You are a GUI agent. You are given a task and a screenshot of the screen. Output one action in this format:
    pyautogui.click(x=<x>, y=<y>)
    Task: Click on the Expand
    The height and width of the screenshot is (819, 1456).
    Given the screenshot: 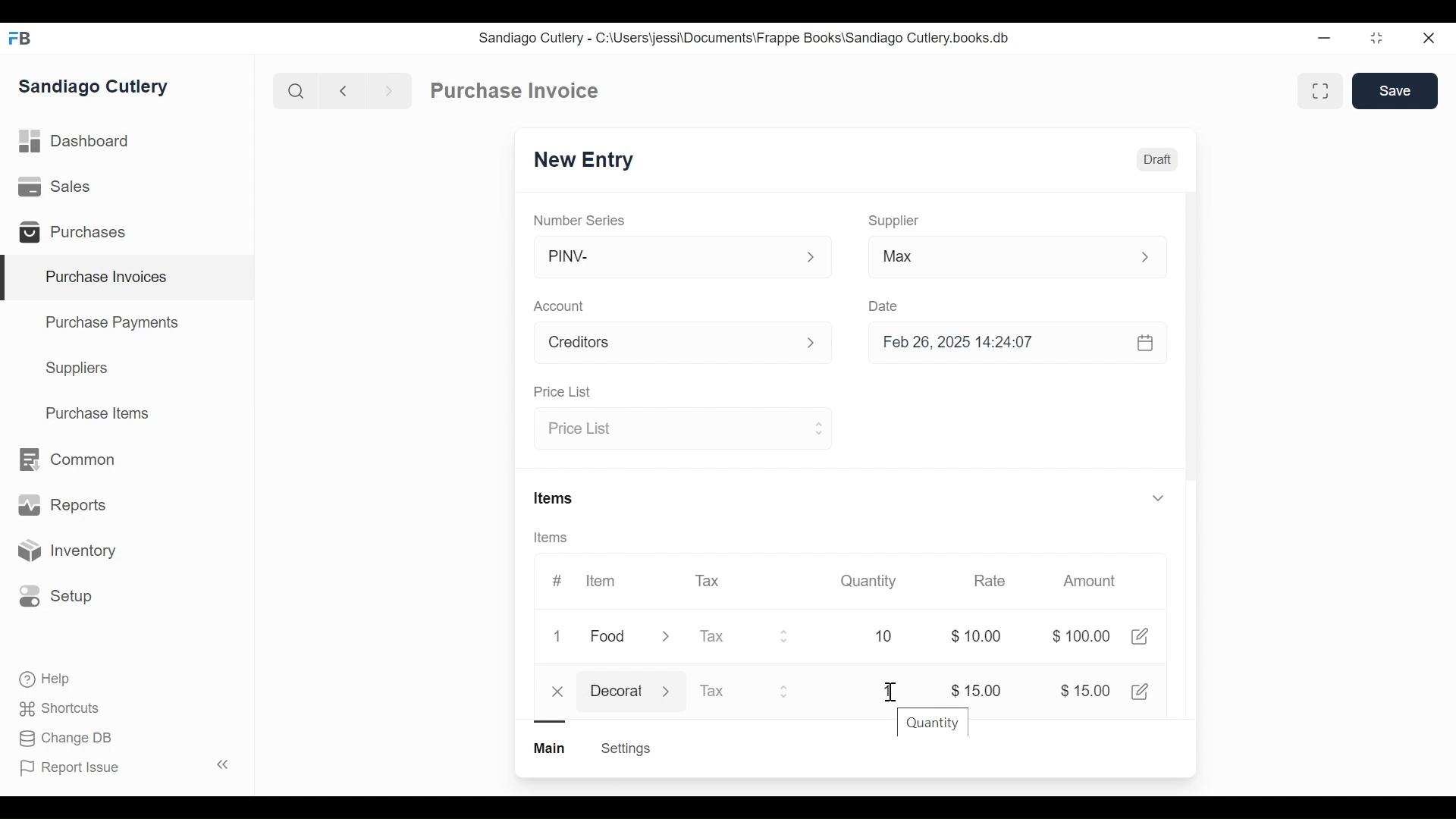 What is the action you would take?
    pyautogui.click(x=820, y=344)
    